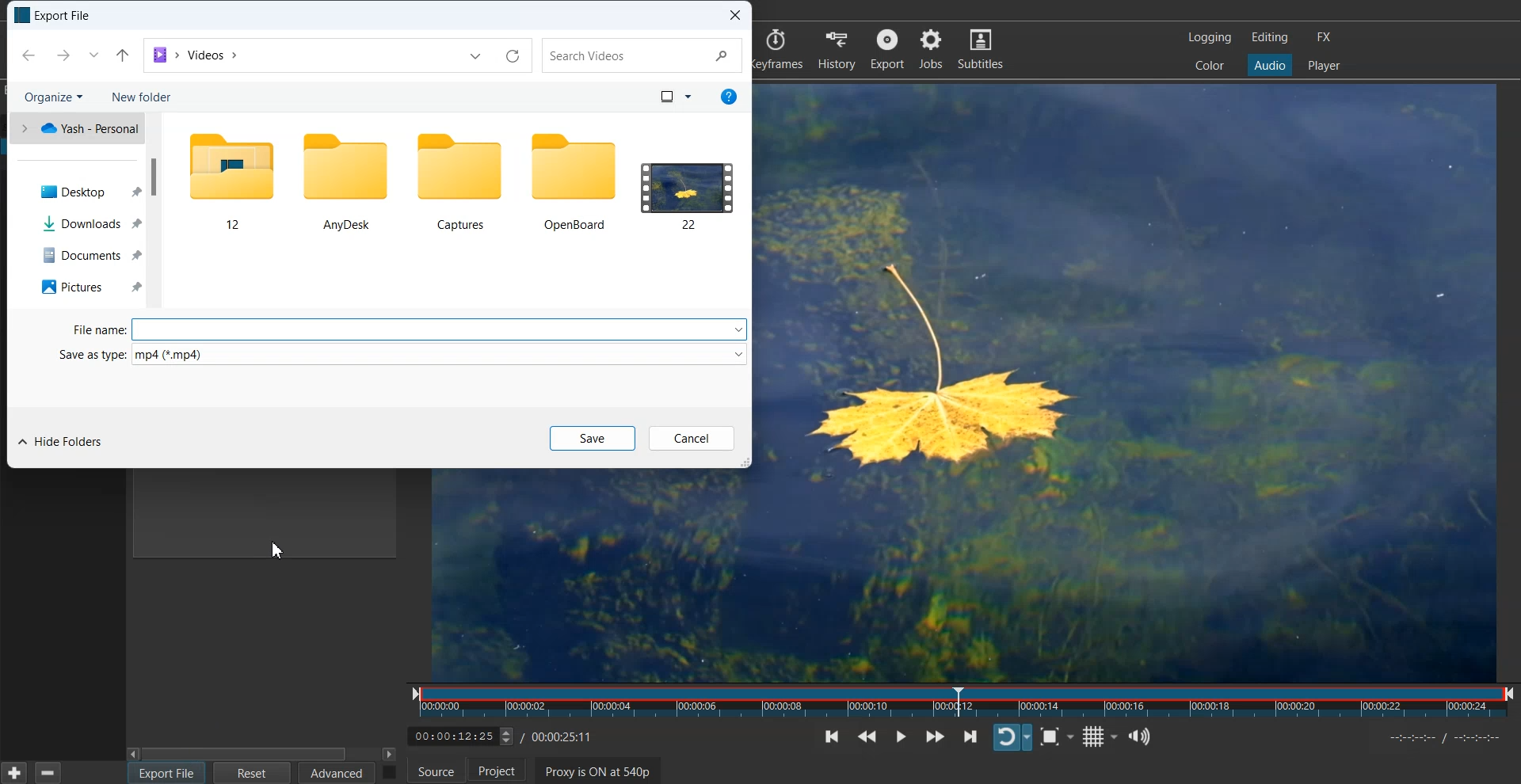 The width and height of the screenshot is (1521, 784). I want to click on Save, so click(591, 439).